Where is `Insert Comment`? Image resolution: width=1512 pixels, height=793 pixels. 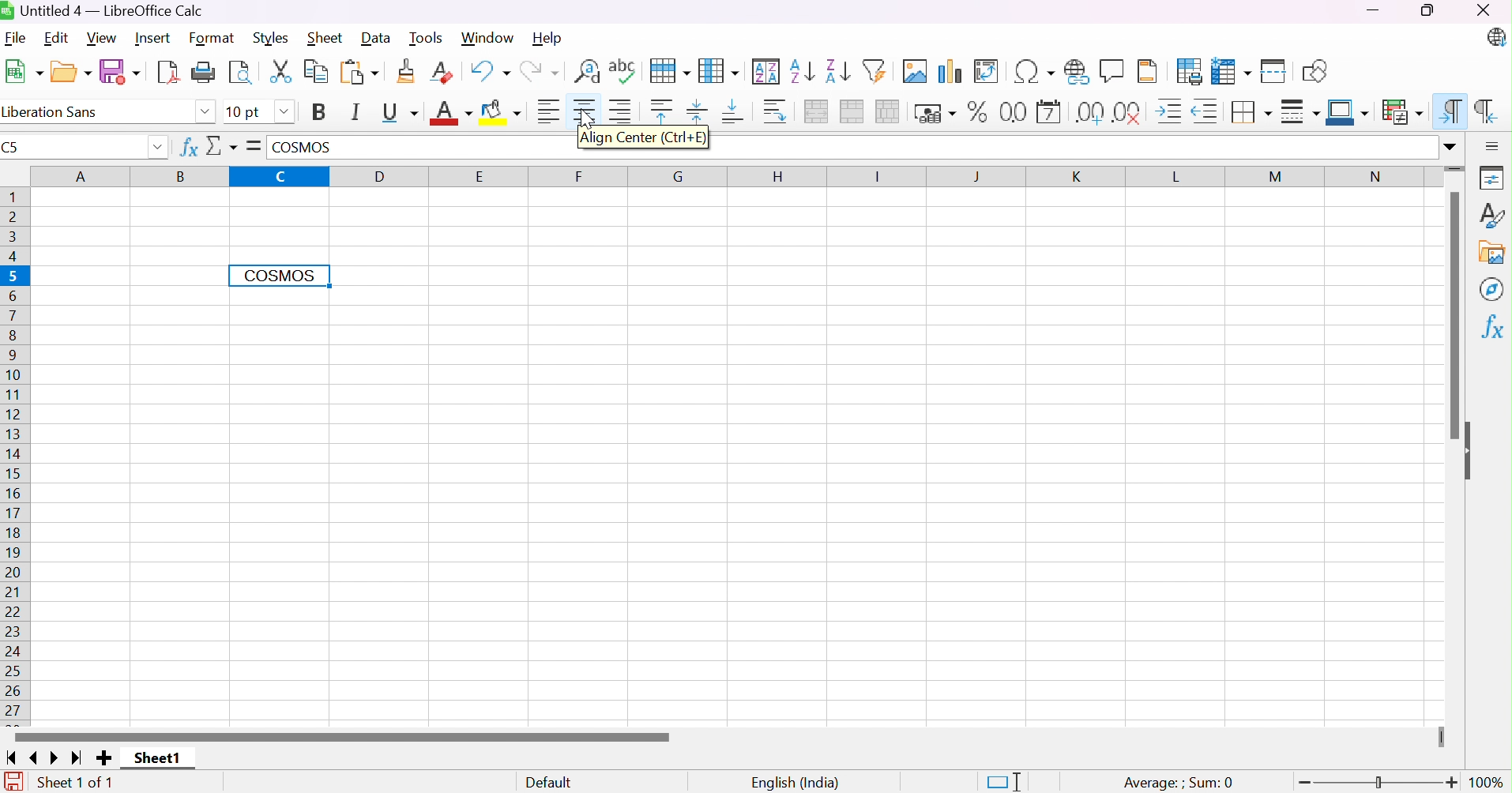
Insert Comment is located at coordinates (1111, 71).